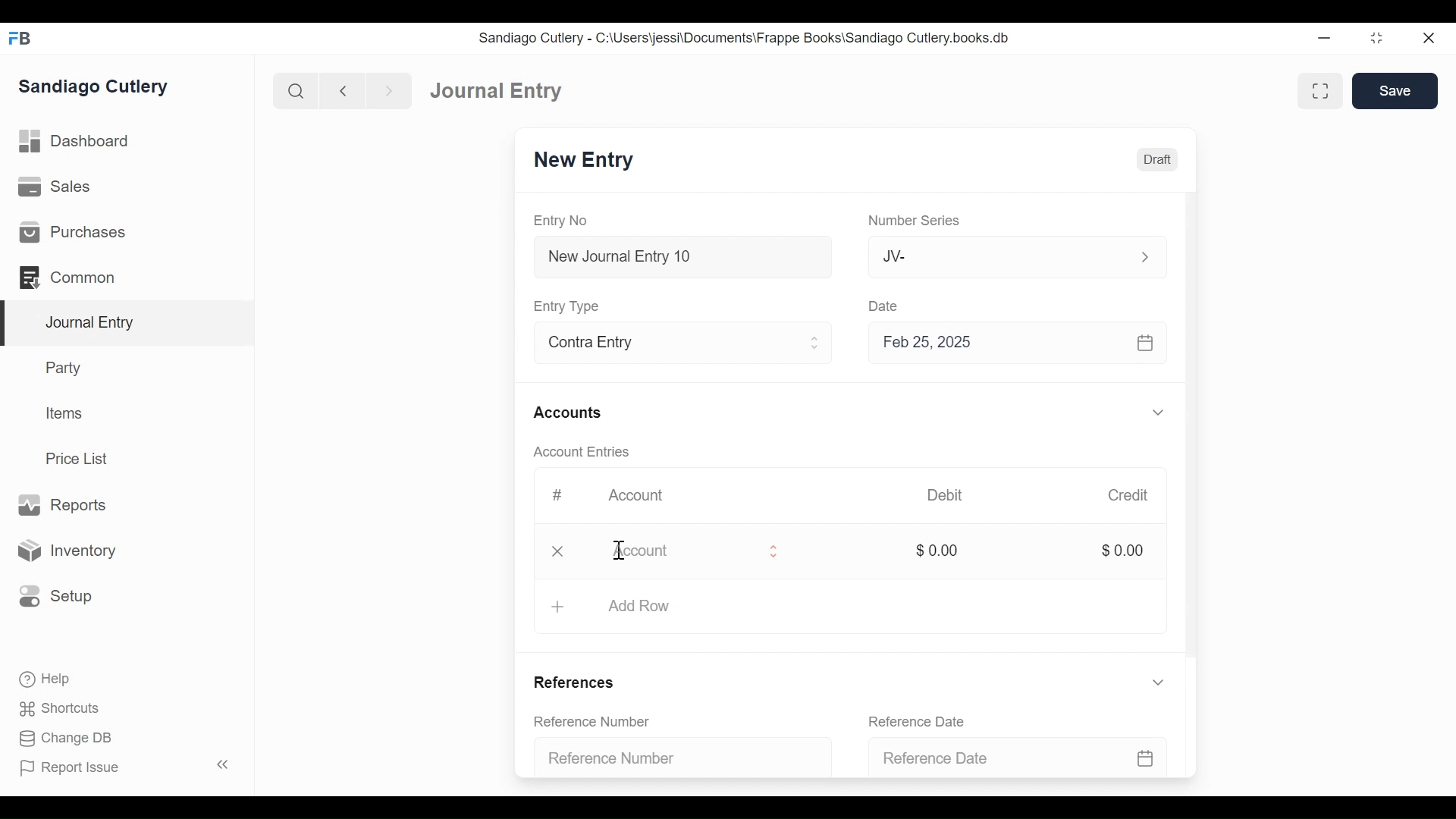 The height and width of the screenshot is (819, 1456). What do you see at coordinates (19, 38) in the screenshot?
I see `Frappe Books Desktop icon` at bounding box center [19, 38].